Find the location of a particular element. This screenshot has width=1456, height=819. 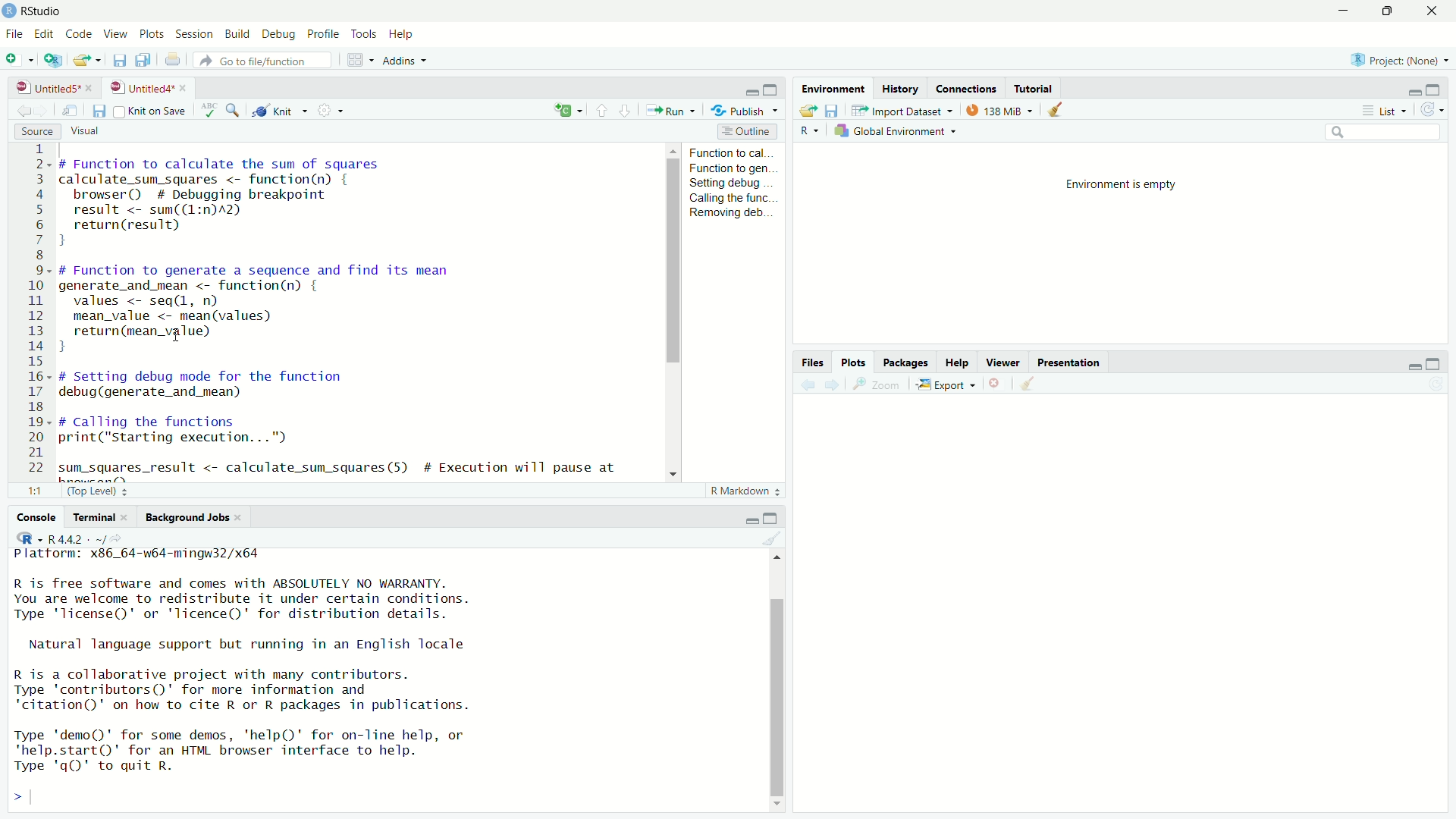

maximize is located at coordinates (1437, 88).